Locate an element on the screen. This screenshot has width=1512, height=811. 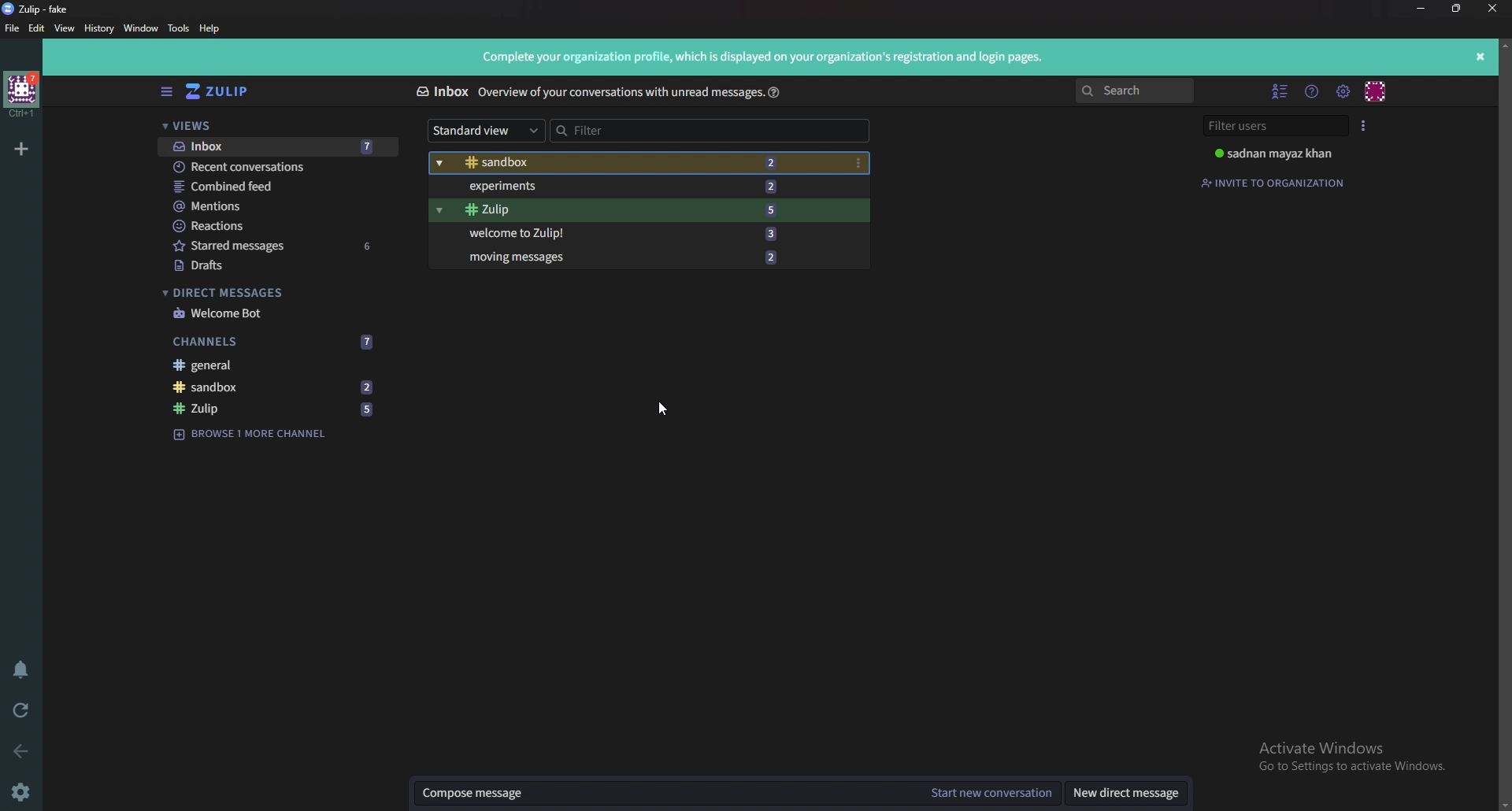
scroll bar is located at coordinates (1503, 423).